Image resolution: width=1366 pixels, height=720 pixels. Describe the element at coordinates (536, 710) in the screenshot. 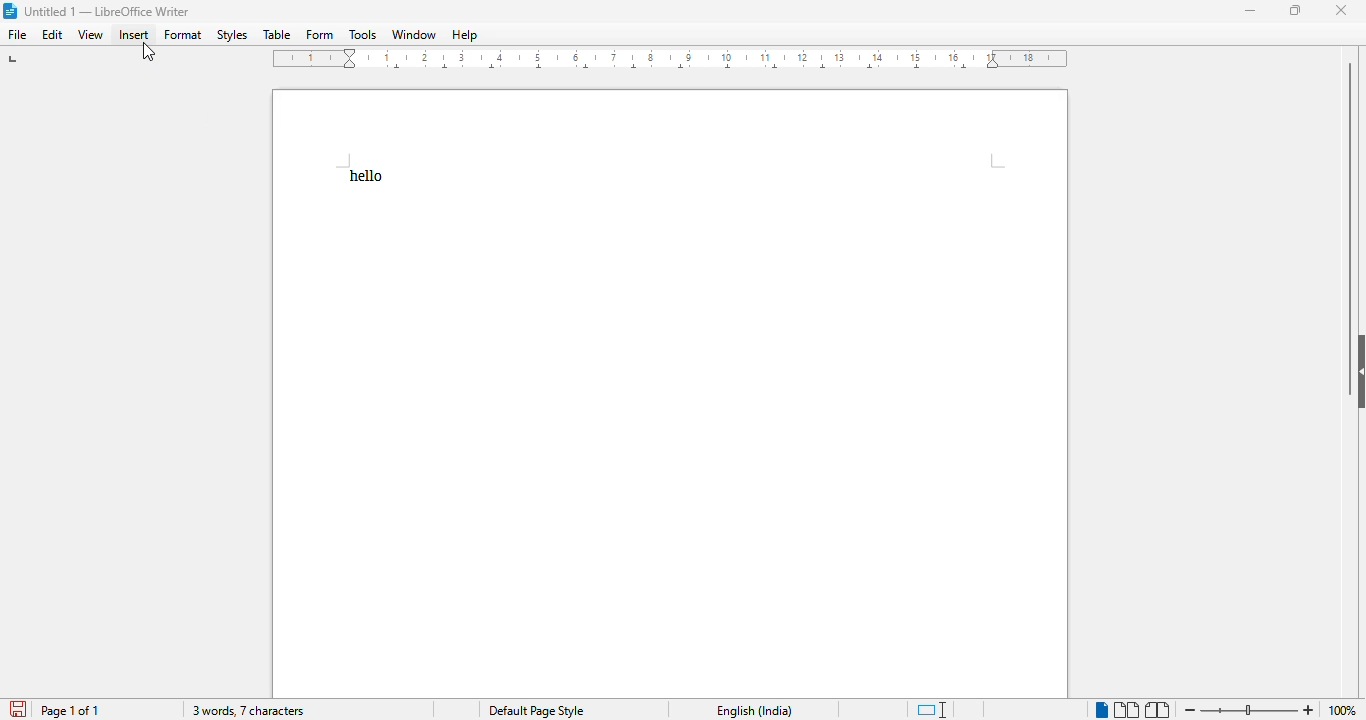

I see `page style` at that location.